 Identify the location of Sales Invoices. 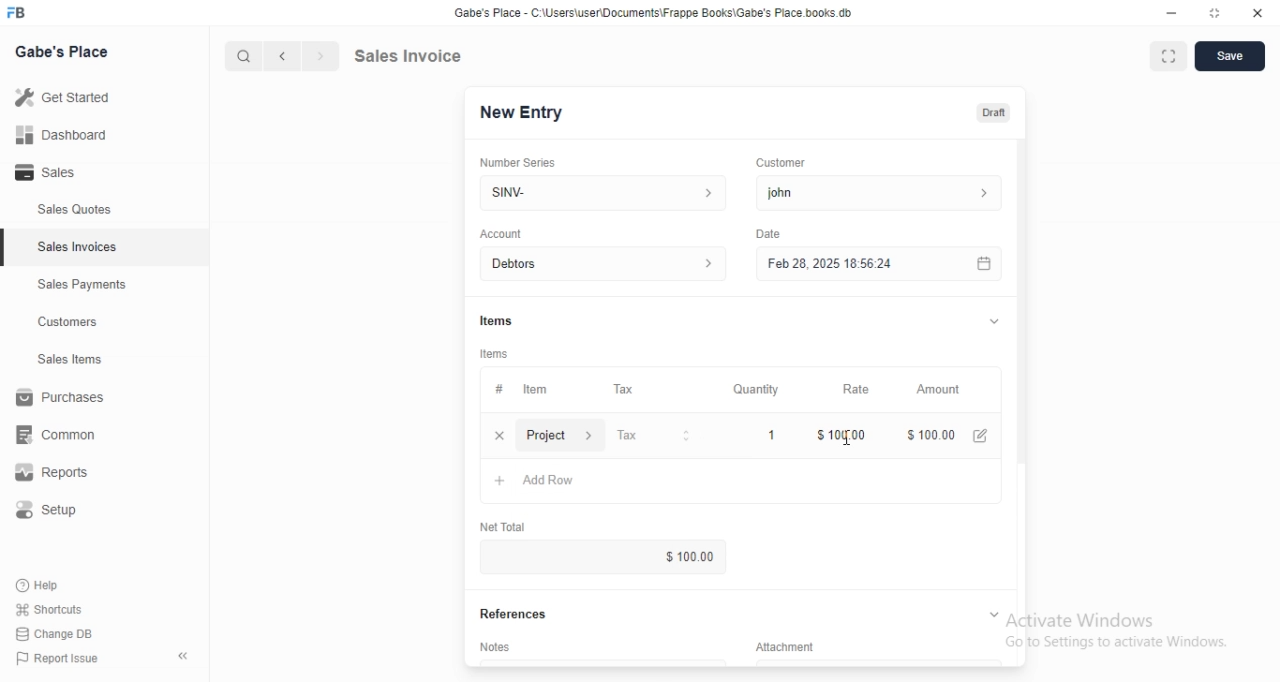
(79, 247).